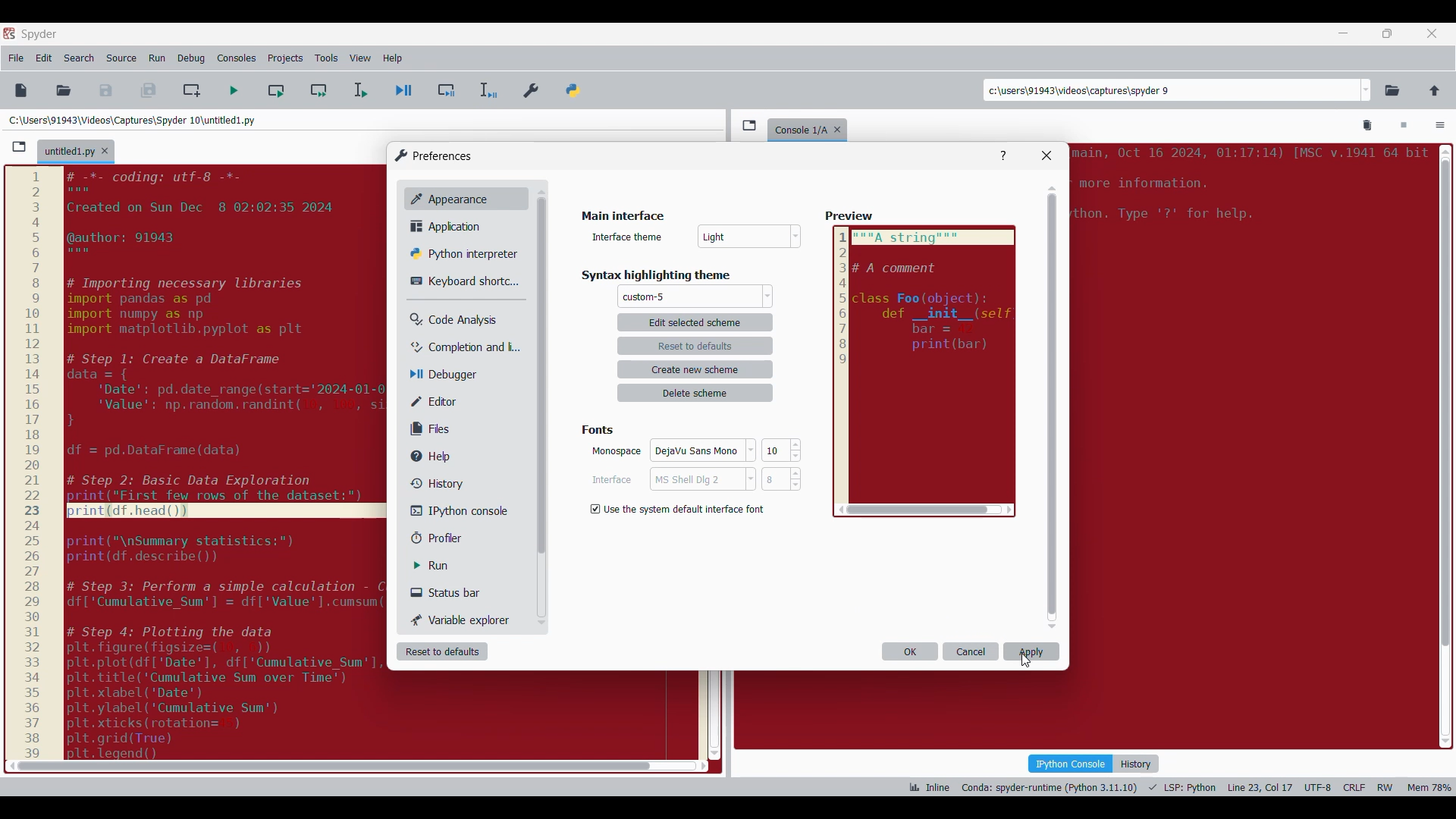 The width and height of the screenshot is (1456, 819). Describe the element at coordinates (487, 90) in the screenshot. I see `Debug selection/current line` at that location.